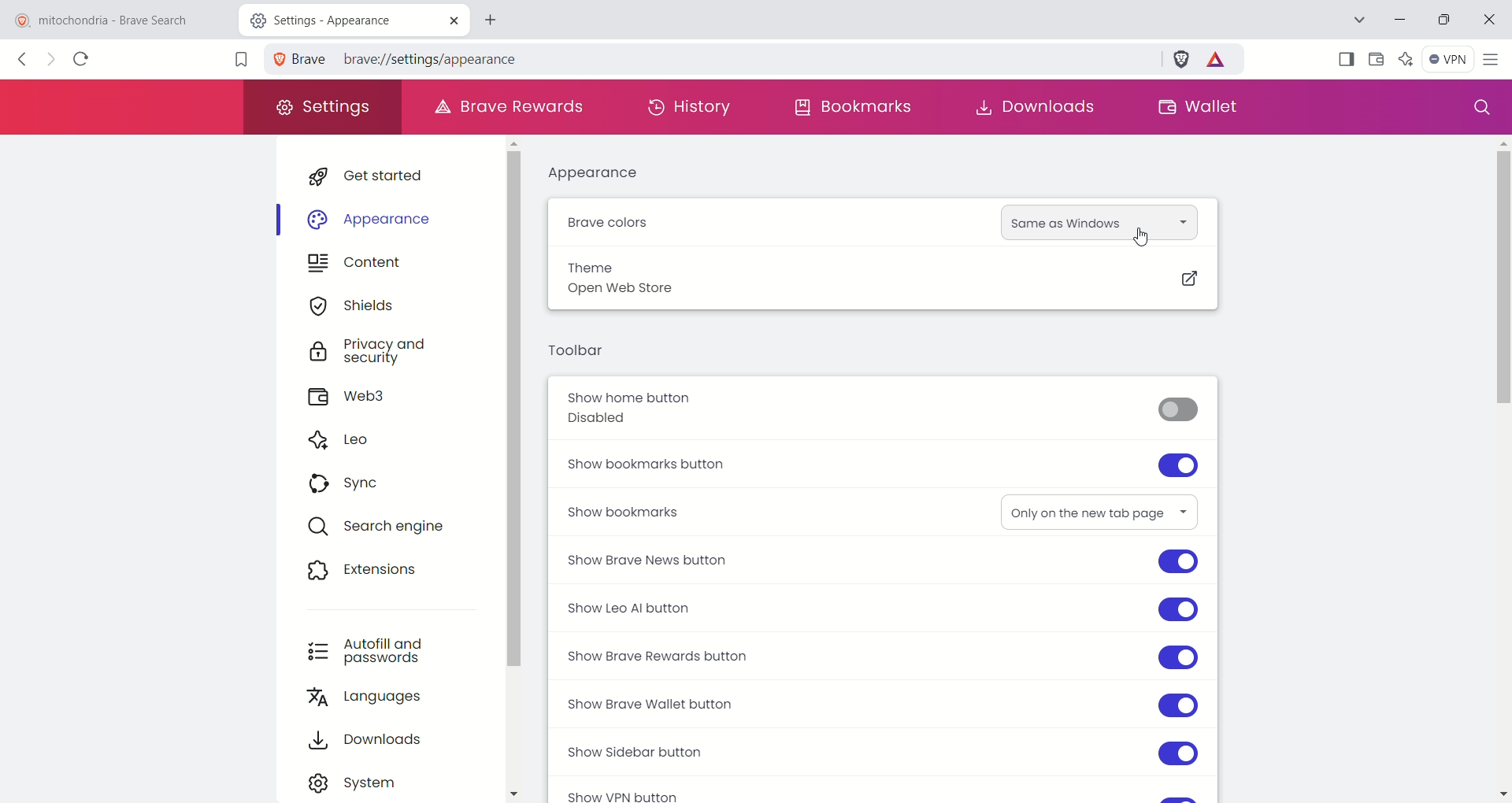 This screenshot has width=1512, height=803. What do you see at coordinates (1344, 57) in the screenshot?
I see `show sidebar` at bounding box center [1344, 57].